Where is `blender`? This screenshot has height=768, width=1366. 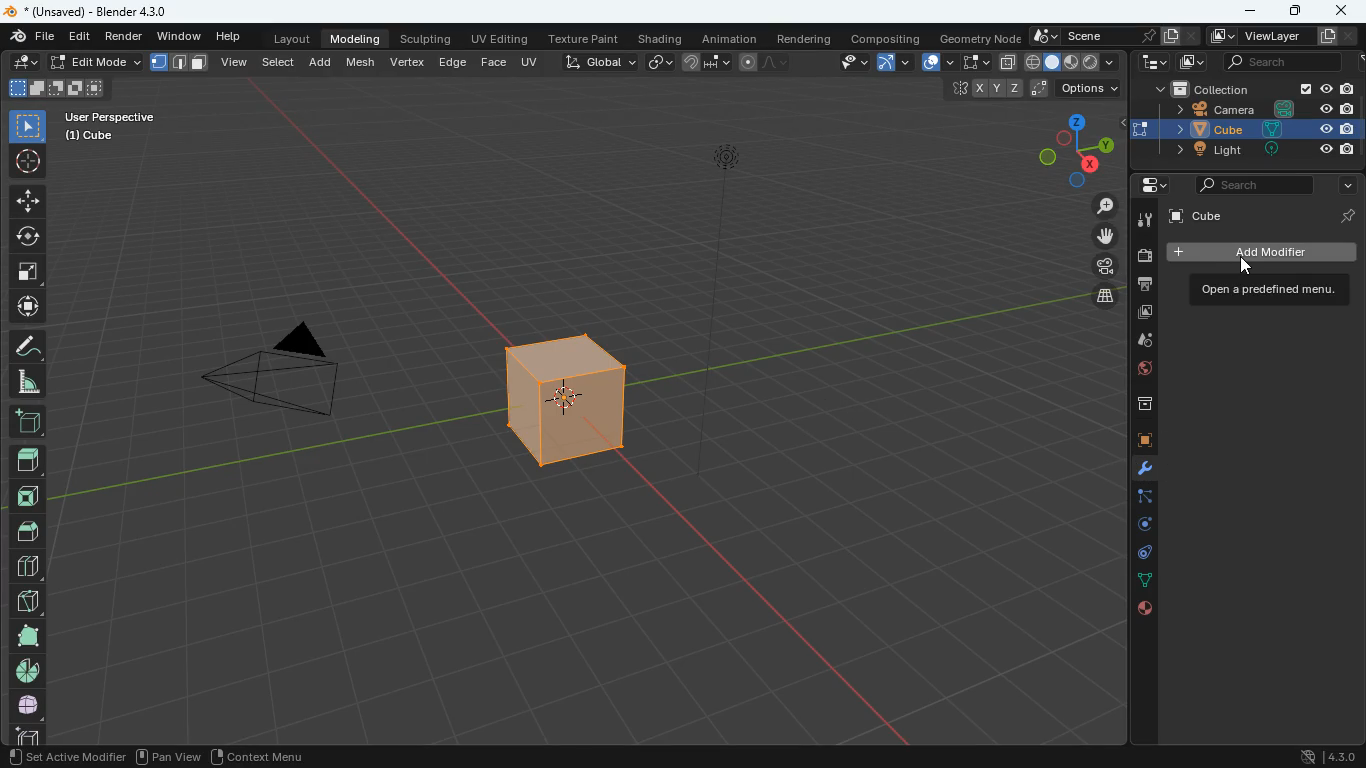 blender is located at coordinates (96, 11).